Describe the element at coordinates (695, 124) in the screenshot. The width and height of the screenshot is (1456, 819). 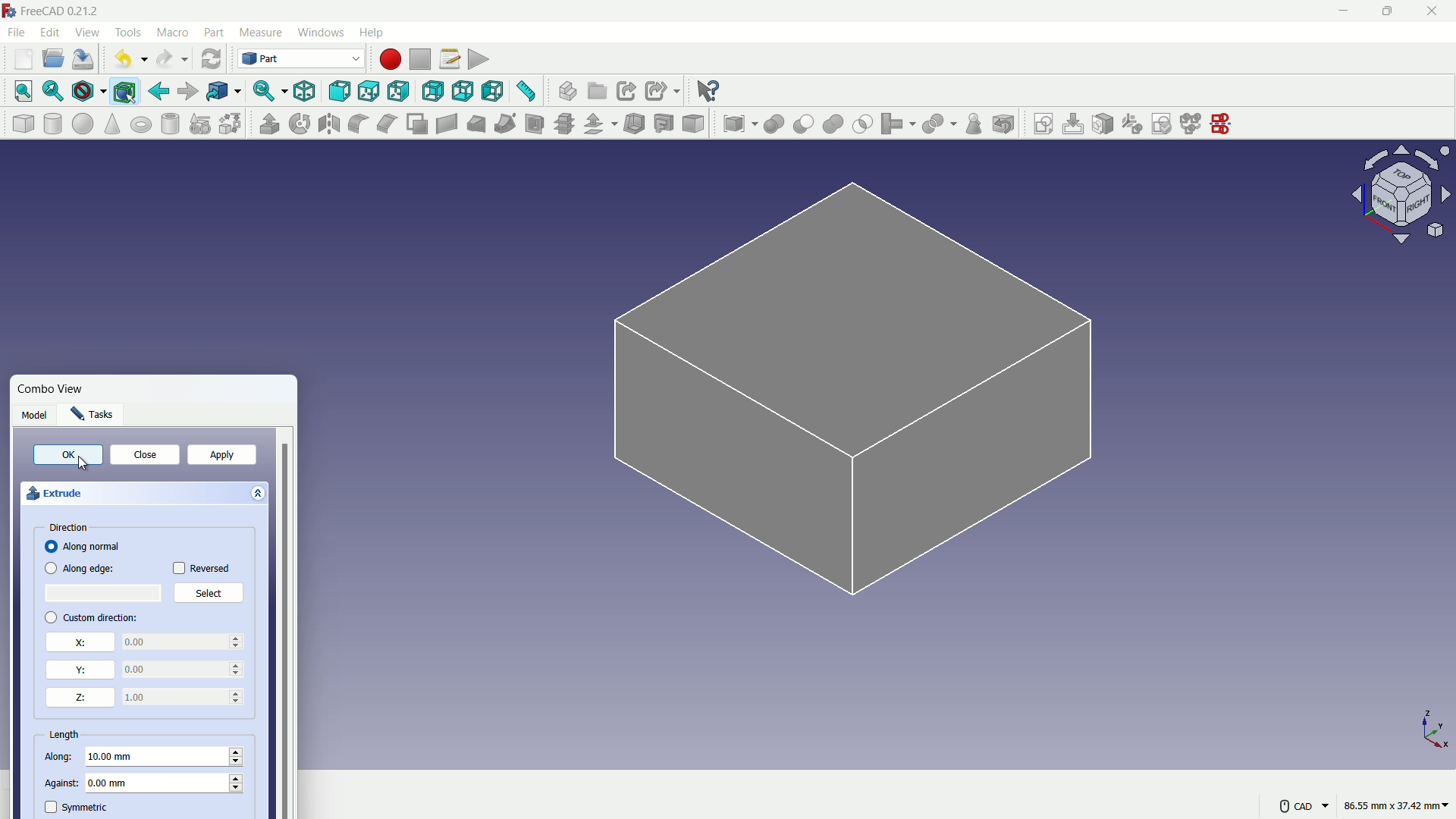
I see `color per face` at that location.